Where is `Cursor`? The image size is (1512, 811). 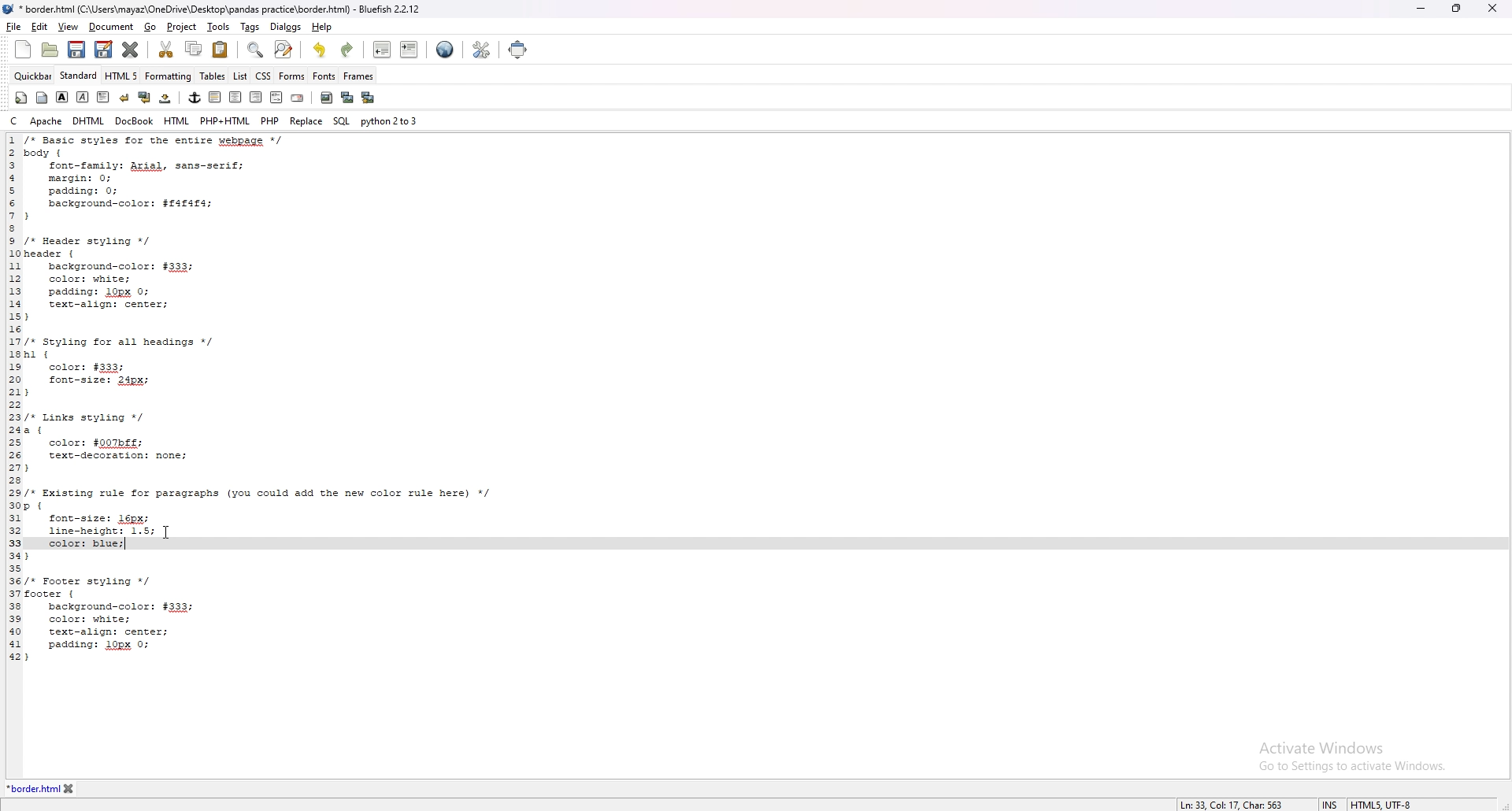 Cursor is located at coordinates (166, 534).